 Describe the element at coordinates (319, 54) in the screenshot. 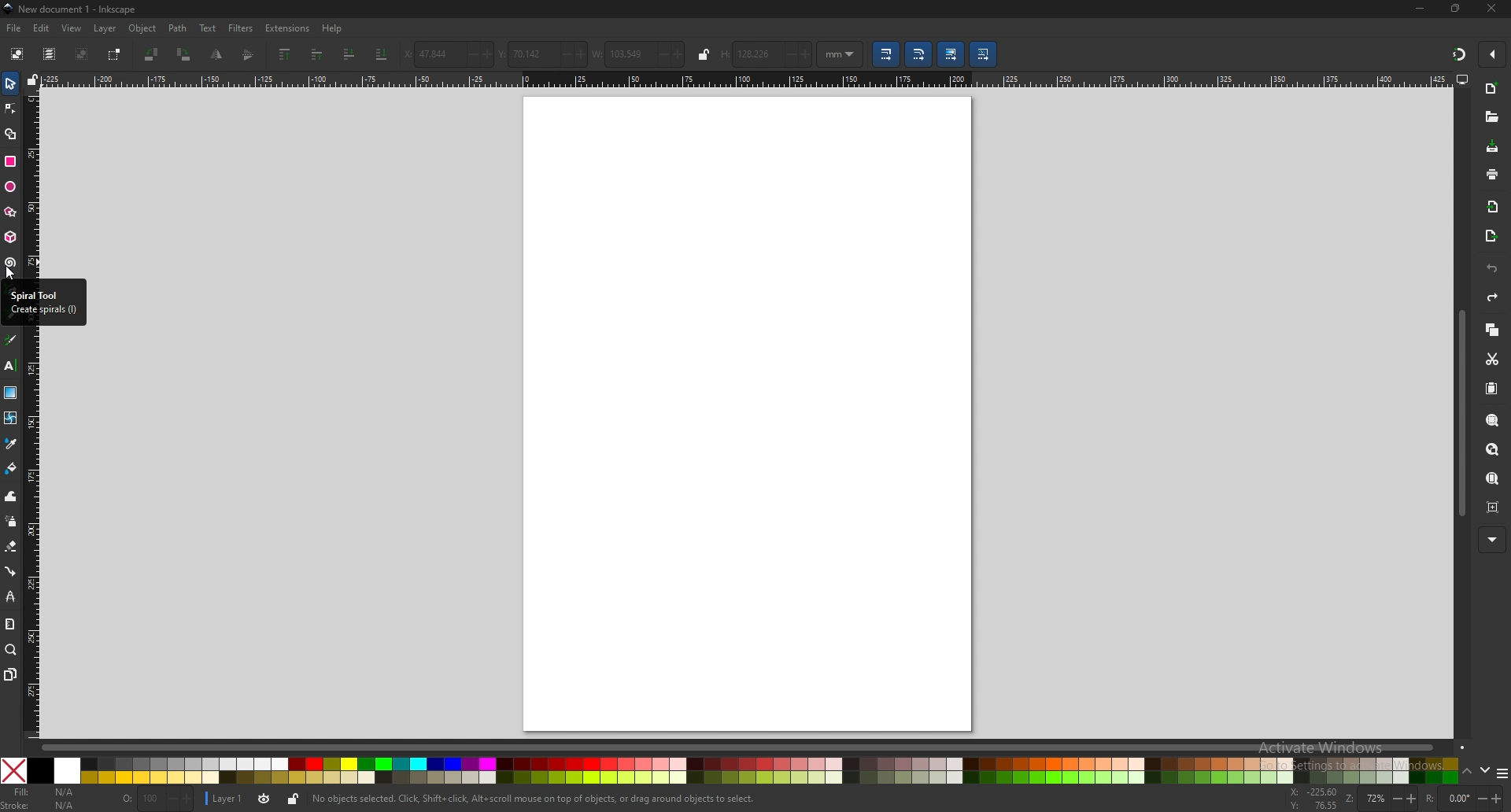

I see `raise selection one step` at that location.